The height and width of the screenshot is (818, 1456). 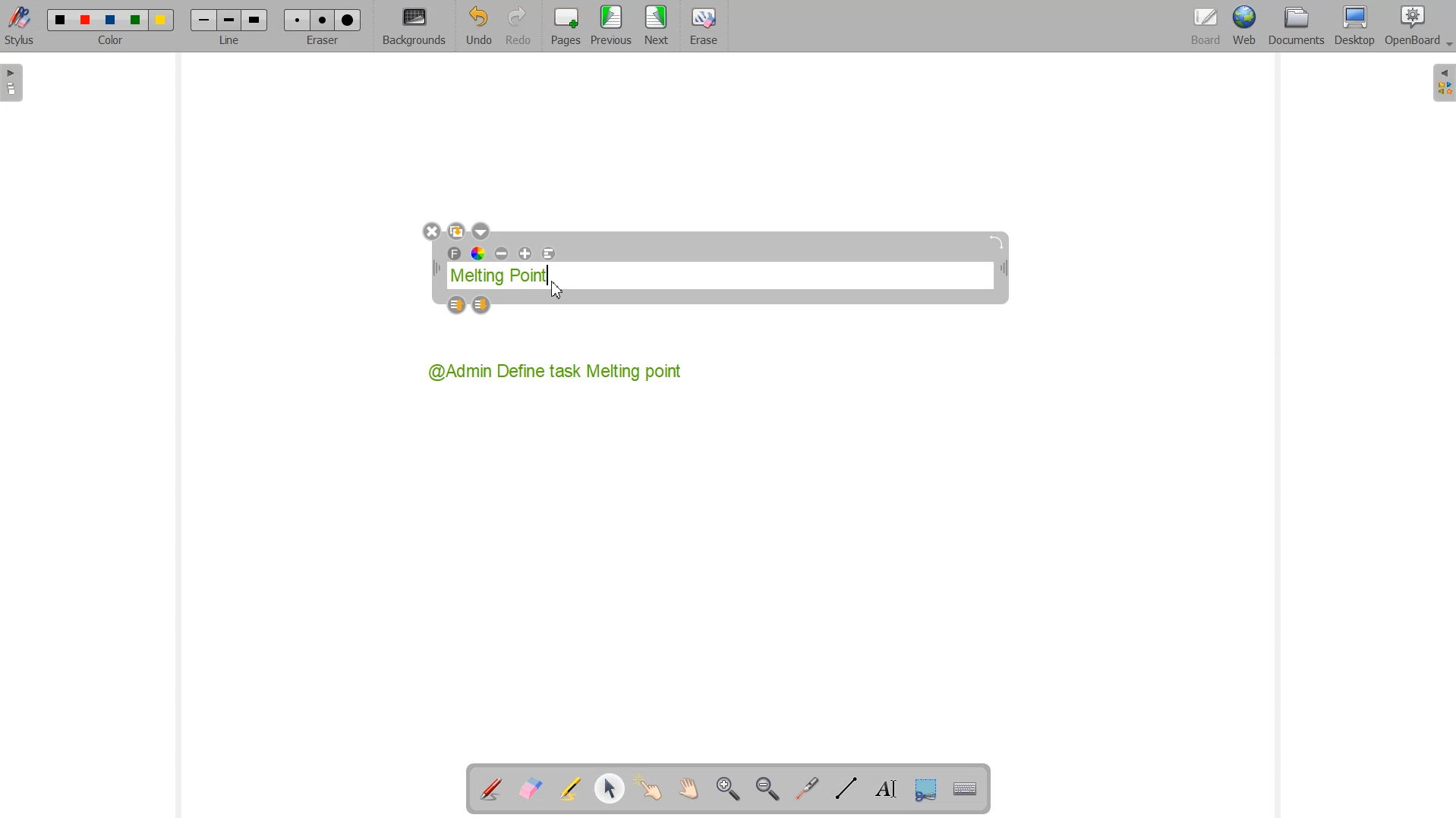 I want to click on Erase Annotation, so click(x=530, y=789).